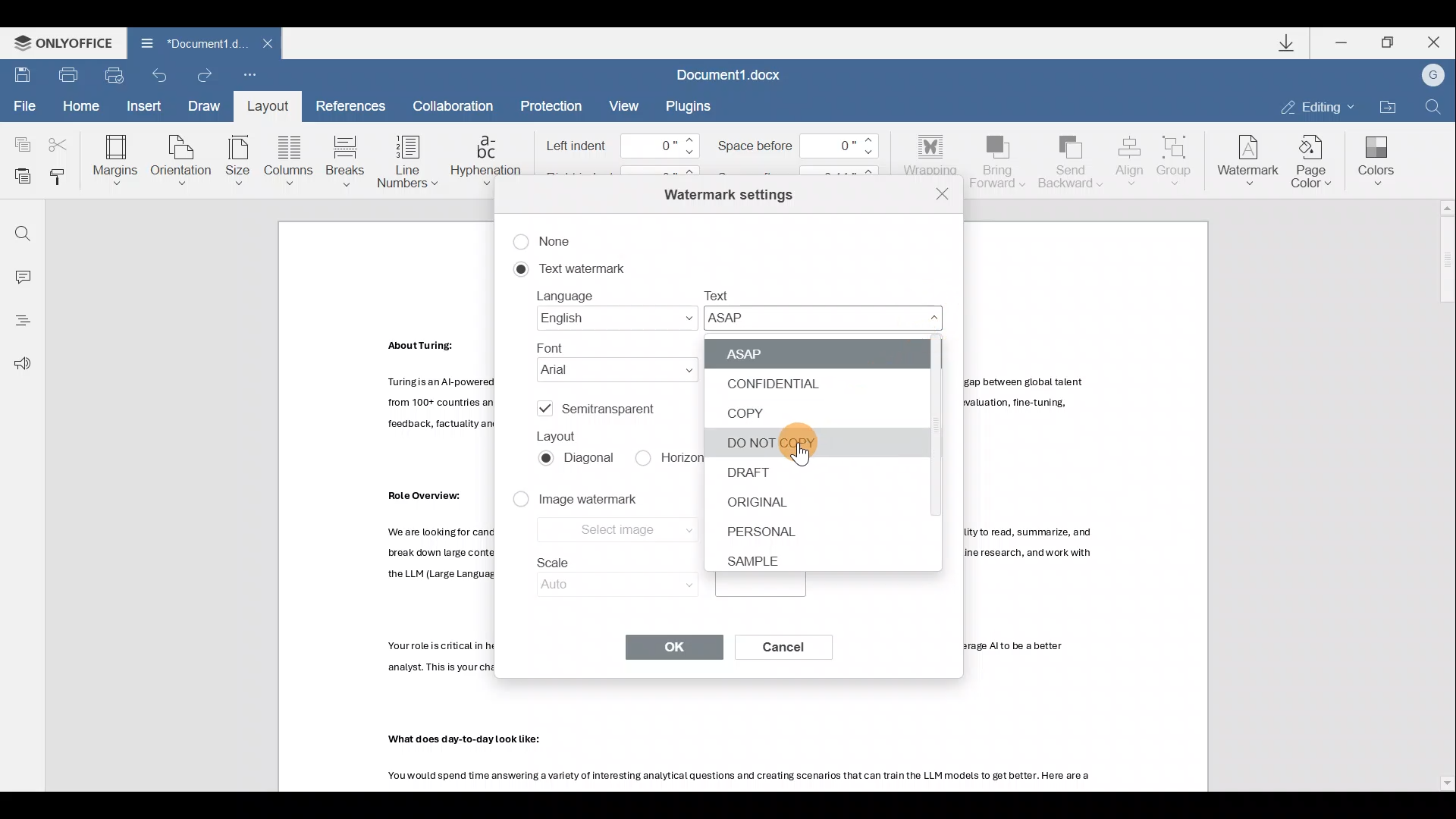 Image resolution: width=1456 pixels, height=819 pixels. I want to click on Image watermark, so click(591, 503).